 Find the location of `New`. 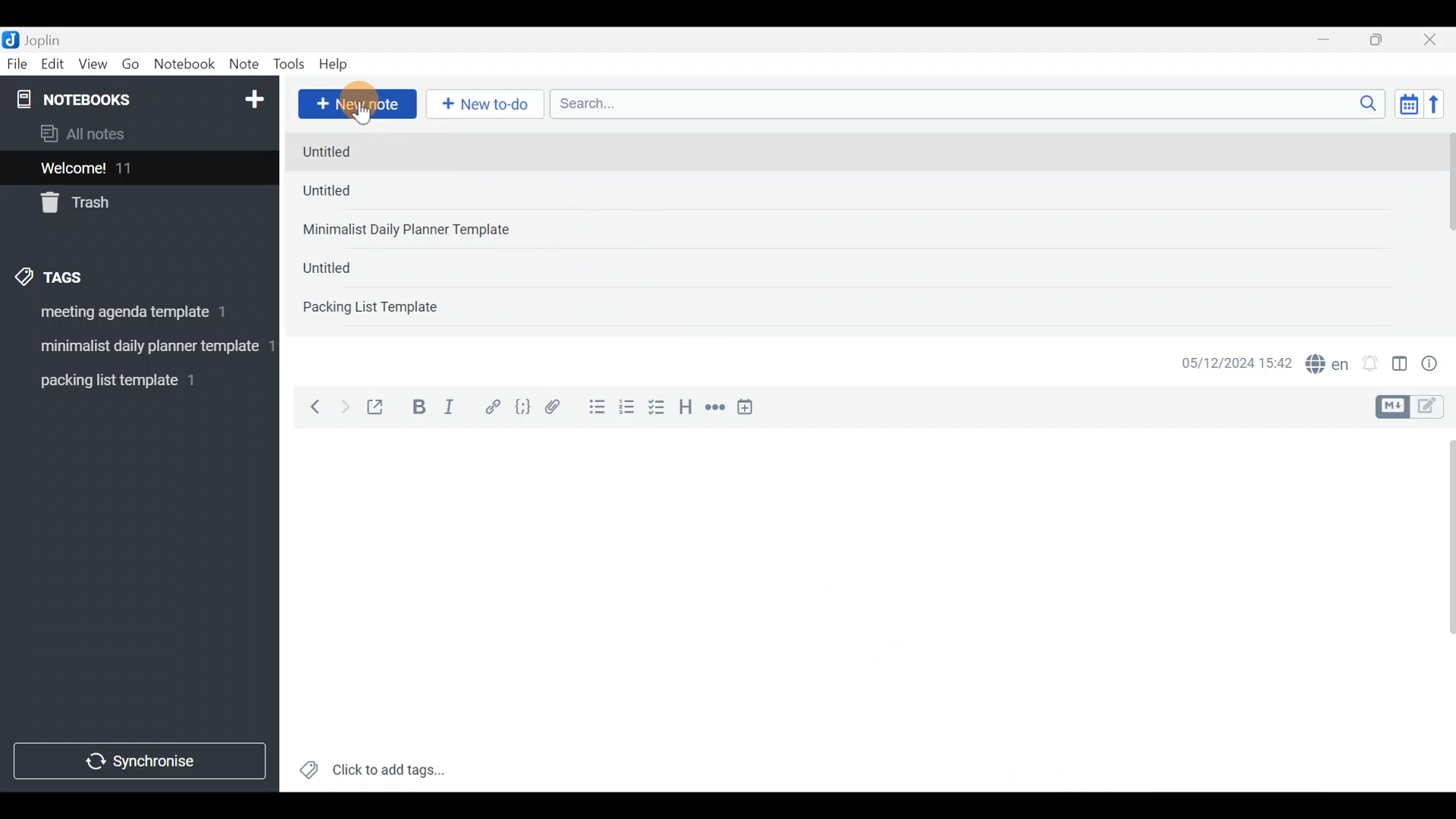

New is located at coordinates (253, 96).